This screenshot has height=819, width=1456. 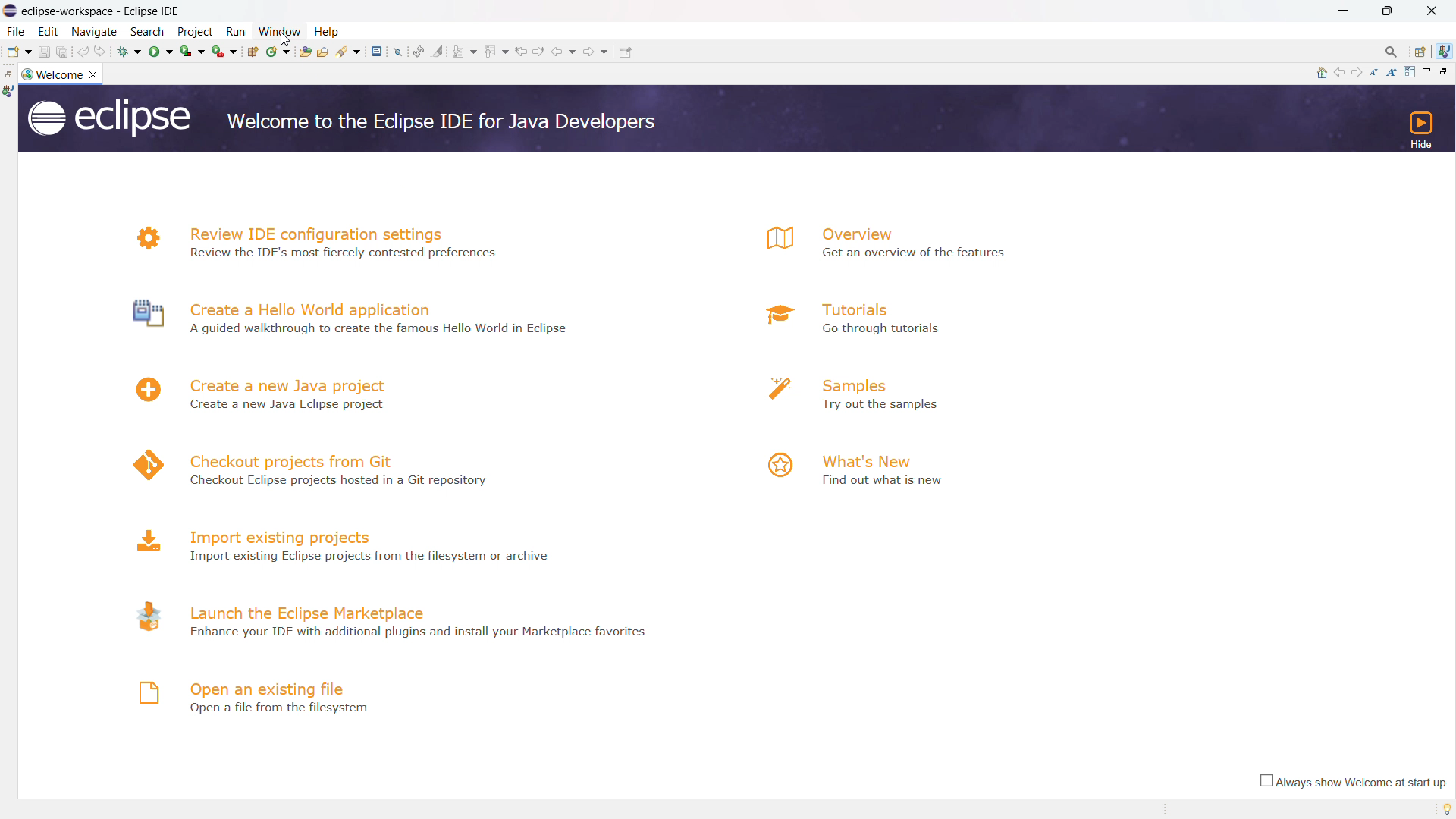 What do you see at coordinates (192, 51) in the screenshot?
I see `coverage` at bounding box center [192, 51].